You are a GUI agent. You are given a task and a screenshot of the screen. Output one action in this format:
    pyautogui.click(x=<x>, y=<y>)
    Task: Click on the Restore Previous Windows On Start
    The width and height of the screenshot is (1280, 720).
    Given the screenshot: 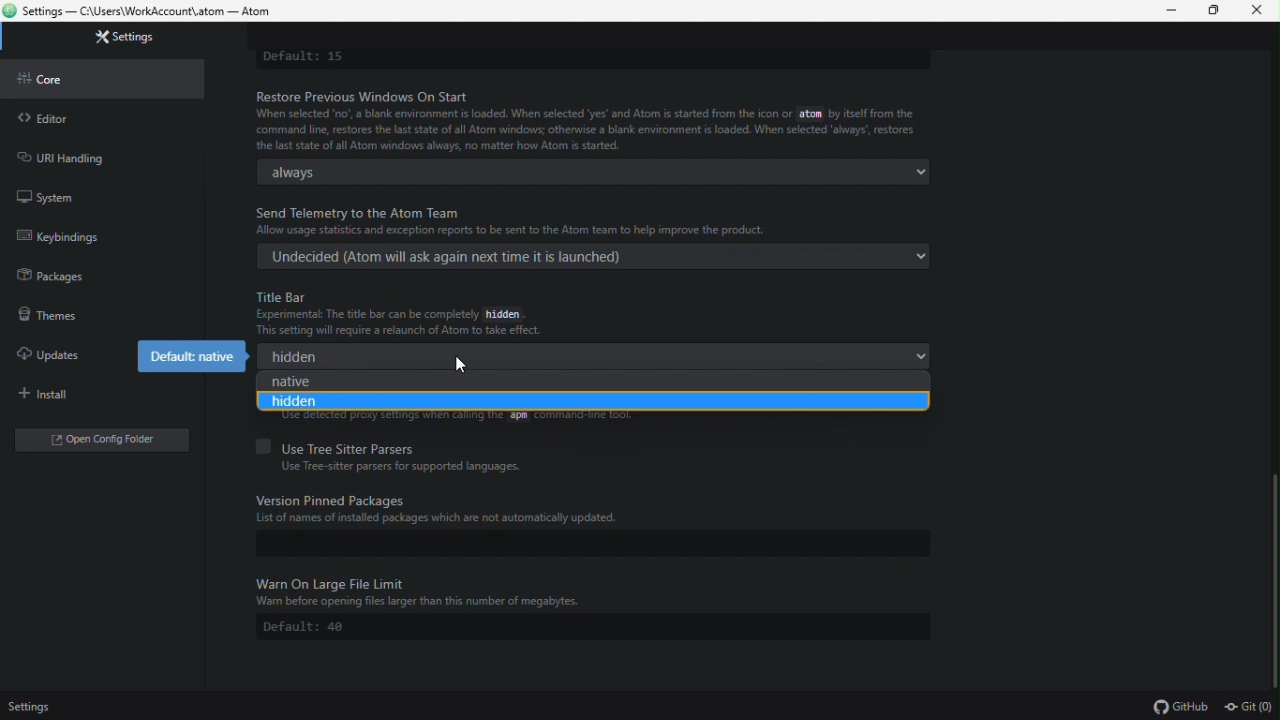 What is the action you would take?
    pyautogui.click(x=372, y=96)
    